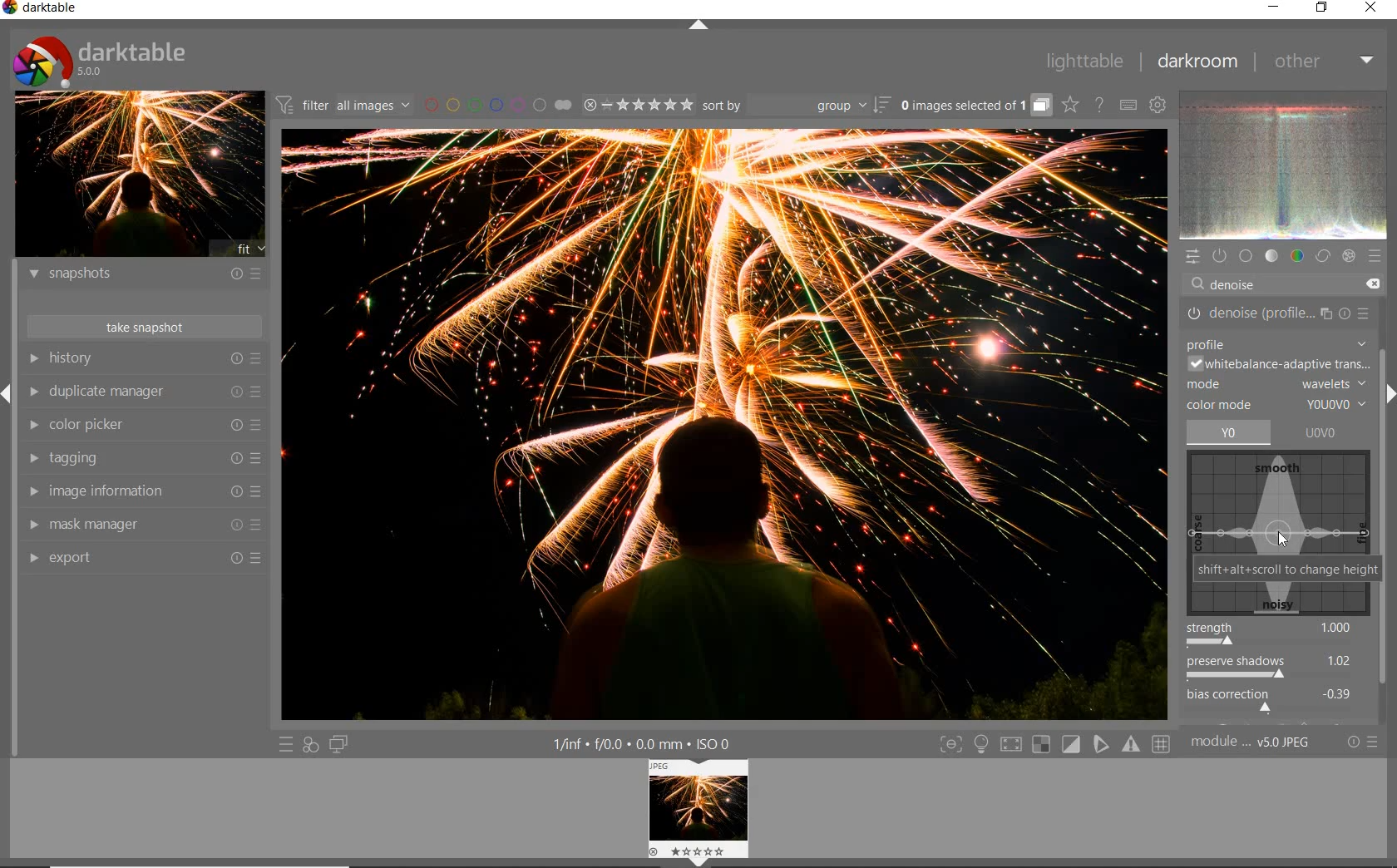 The image size is (1397, 868). What do you see at coordinates (142, 525) in the screenshot?
I see `mask manager` at bounding box center [142, 525].